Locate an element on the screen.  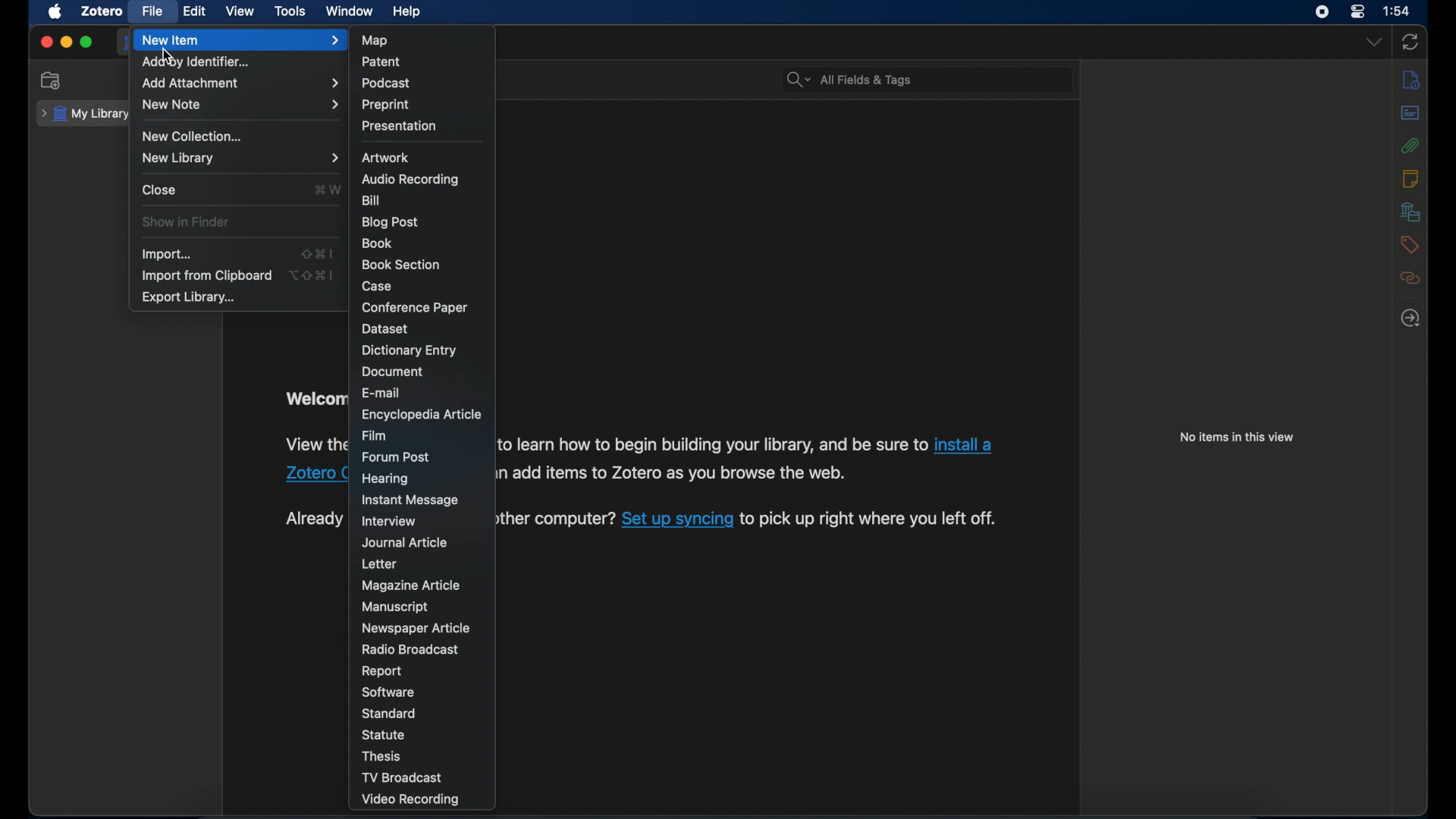
new library is located at coordinates (238, 158).